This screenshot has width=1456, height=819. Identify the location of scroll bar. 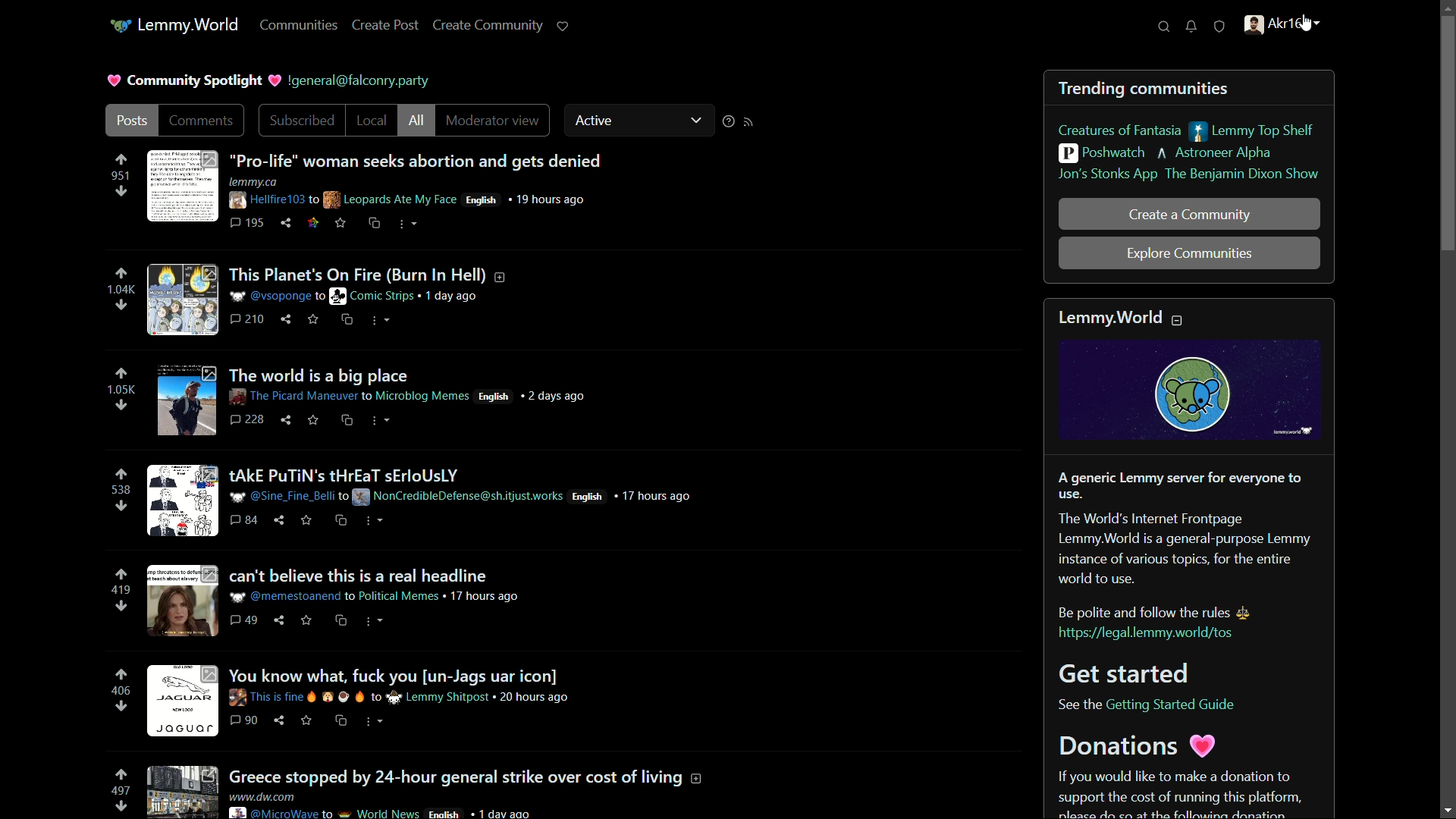
(1448, 409).